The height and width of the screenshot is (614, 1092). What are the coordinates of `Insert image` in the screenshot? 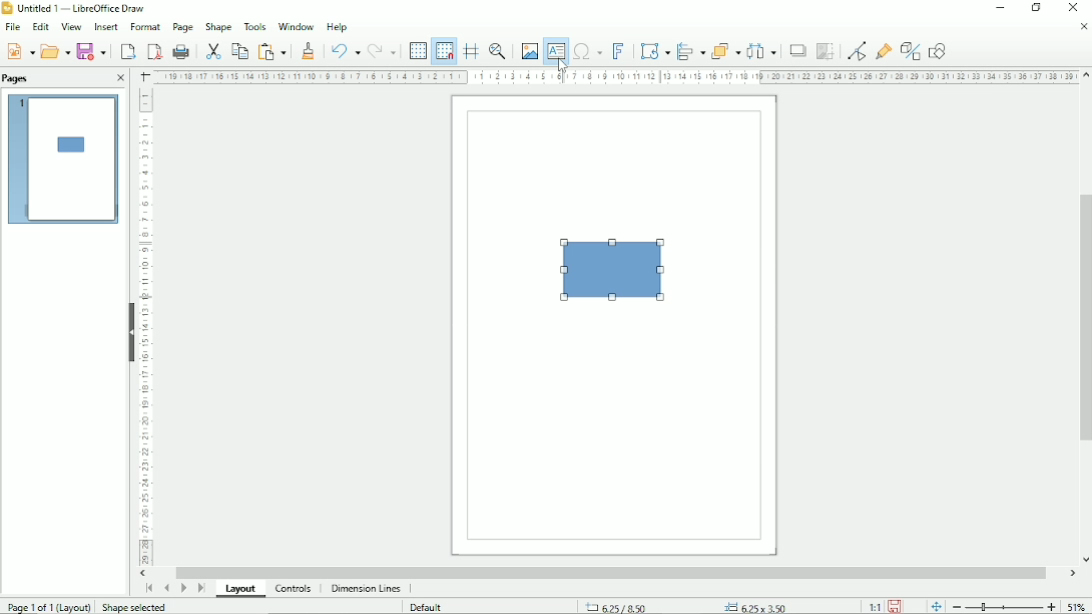 It's located at (528, 49).